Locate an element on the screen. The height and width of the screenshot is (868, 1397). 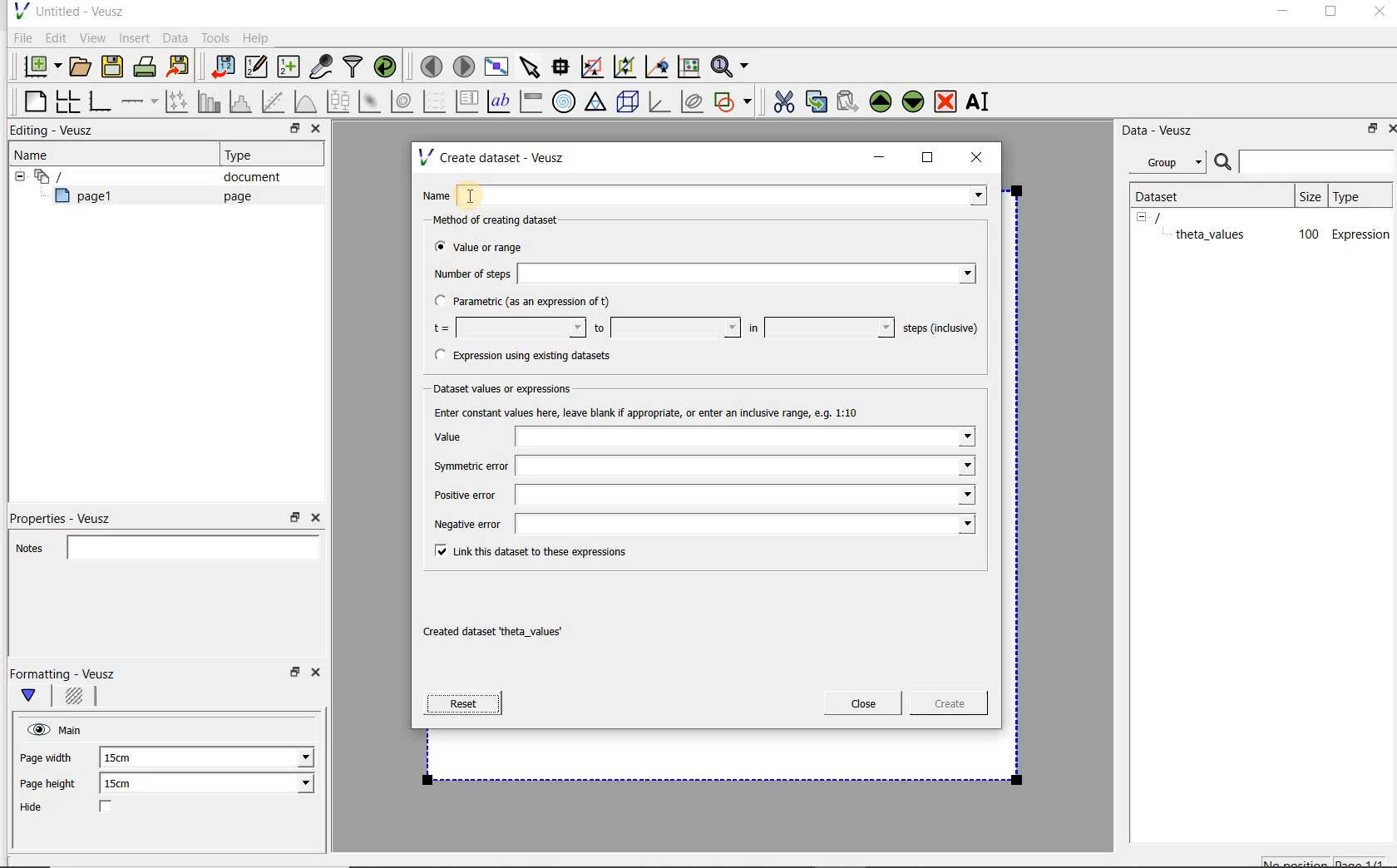
Notes is located at coordinates (162, 545).